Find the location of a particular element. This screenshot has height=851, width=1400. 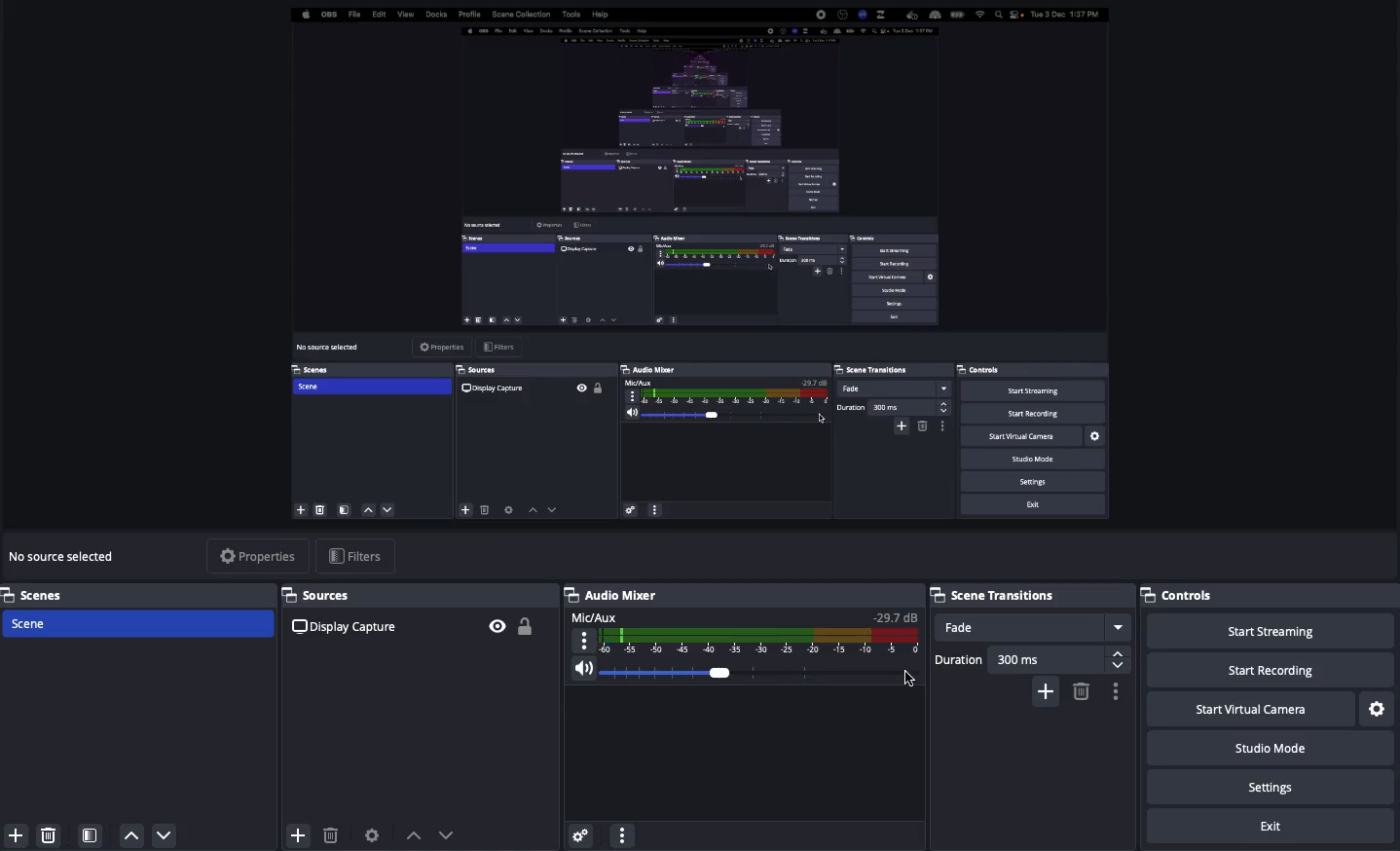

Remove is located at coordinates (1083, 690).